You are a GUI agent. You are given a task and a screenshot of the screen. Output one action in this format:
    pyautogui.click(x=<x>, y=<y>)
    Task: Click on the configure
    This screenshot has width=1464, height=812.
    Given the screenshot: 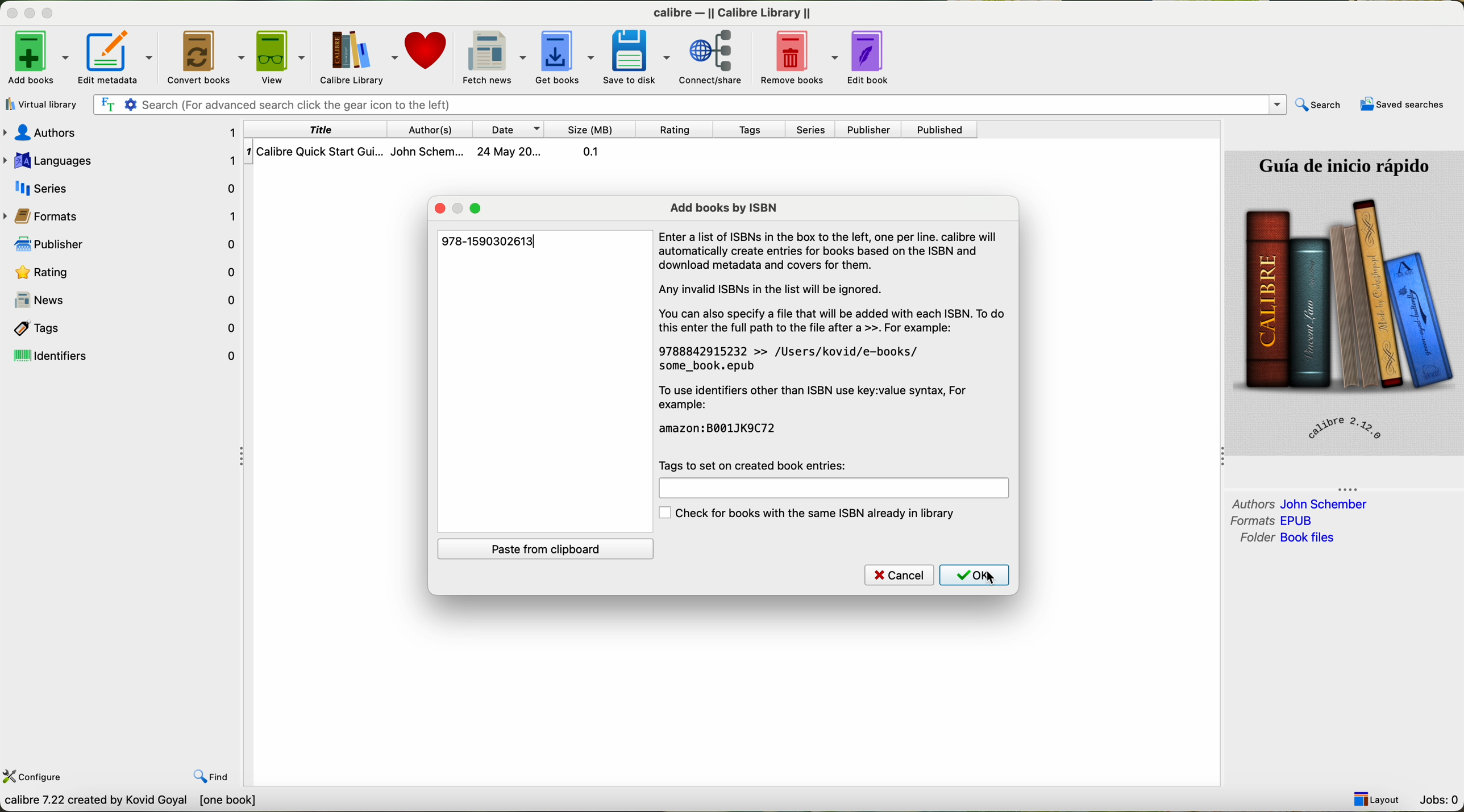 What is the action you would take?
    pyautogui.click(x=34, y=778)
    